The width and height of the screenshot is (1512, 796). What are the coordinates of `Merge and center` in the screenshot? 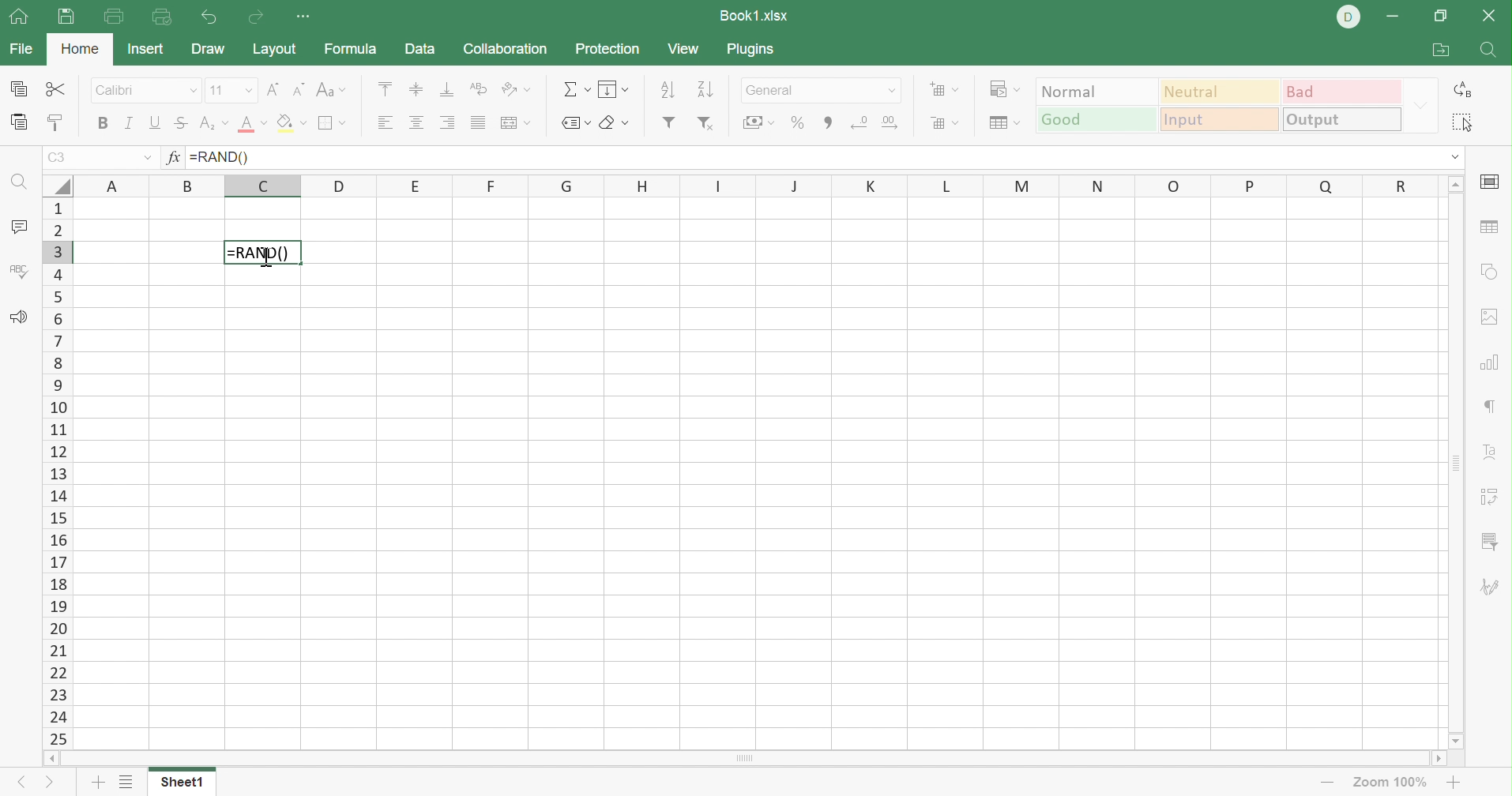 It's located at (517, 124).